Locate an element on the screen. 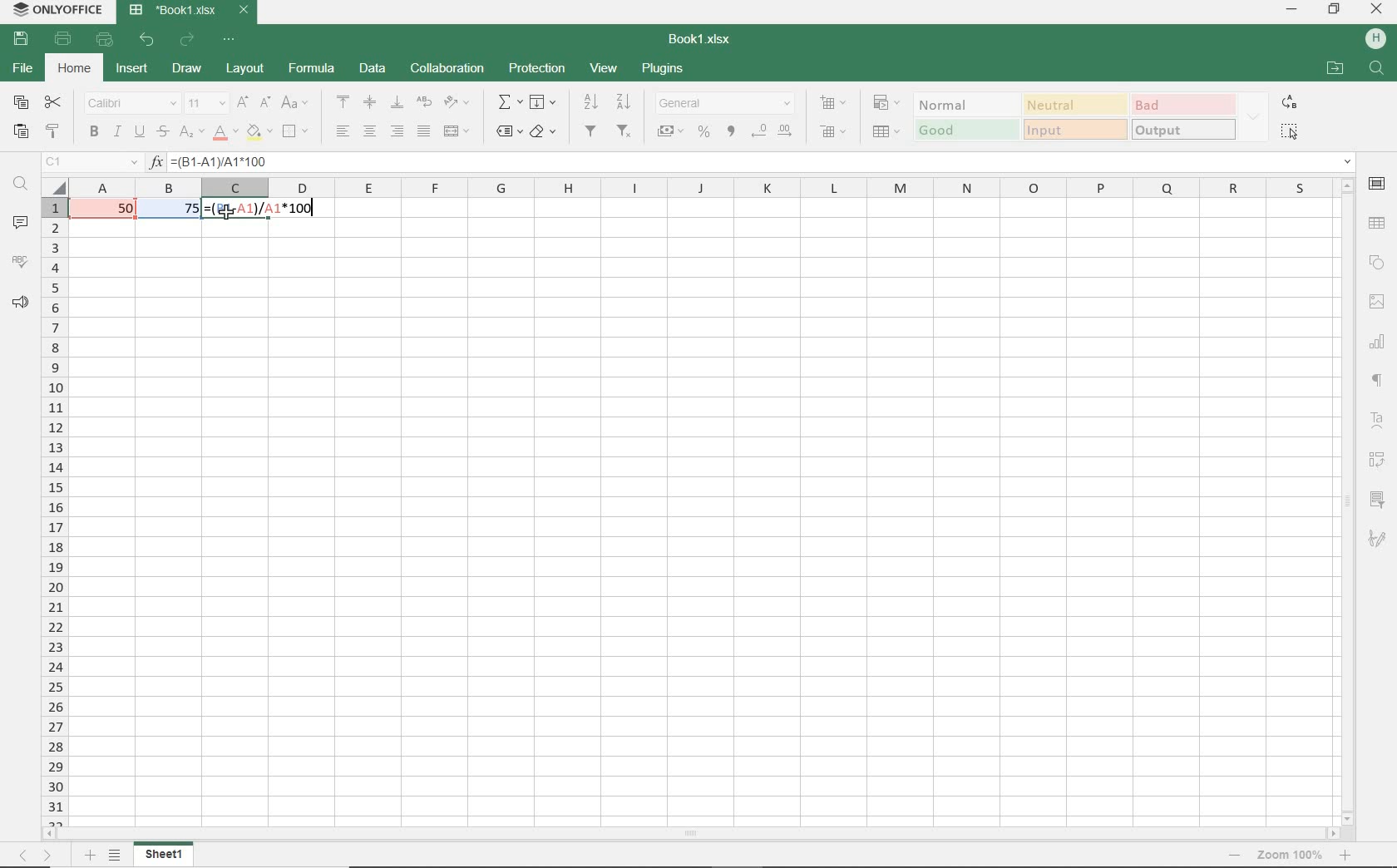  spell checking is located at coordinates (20, 262).